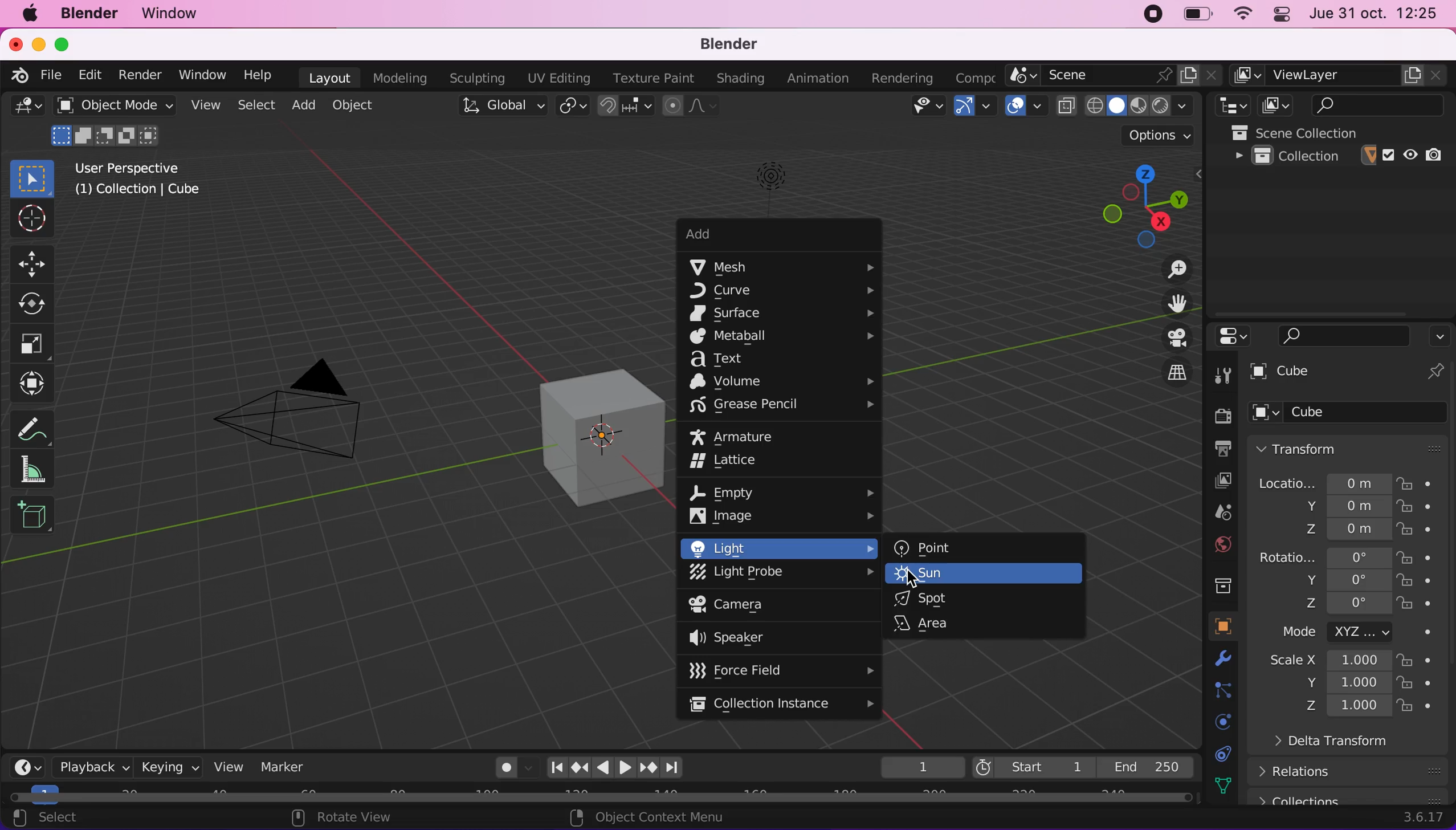  Describe the element at coordinates (1241, 14) in the screenshot. I see `wifi` at that location.